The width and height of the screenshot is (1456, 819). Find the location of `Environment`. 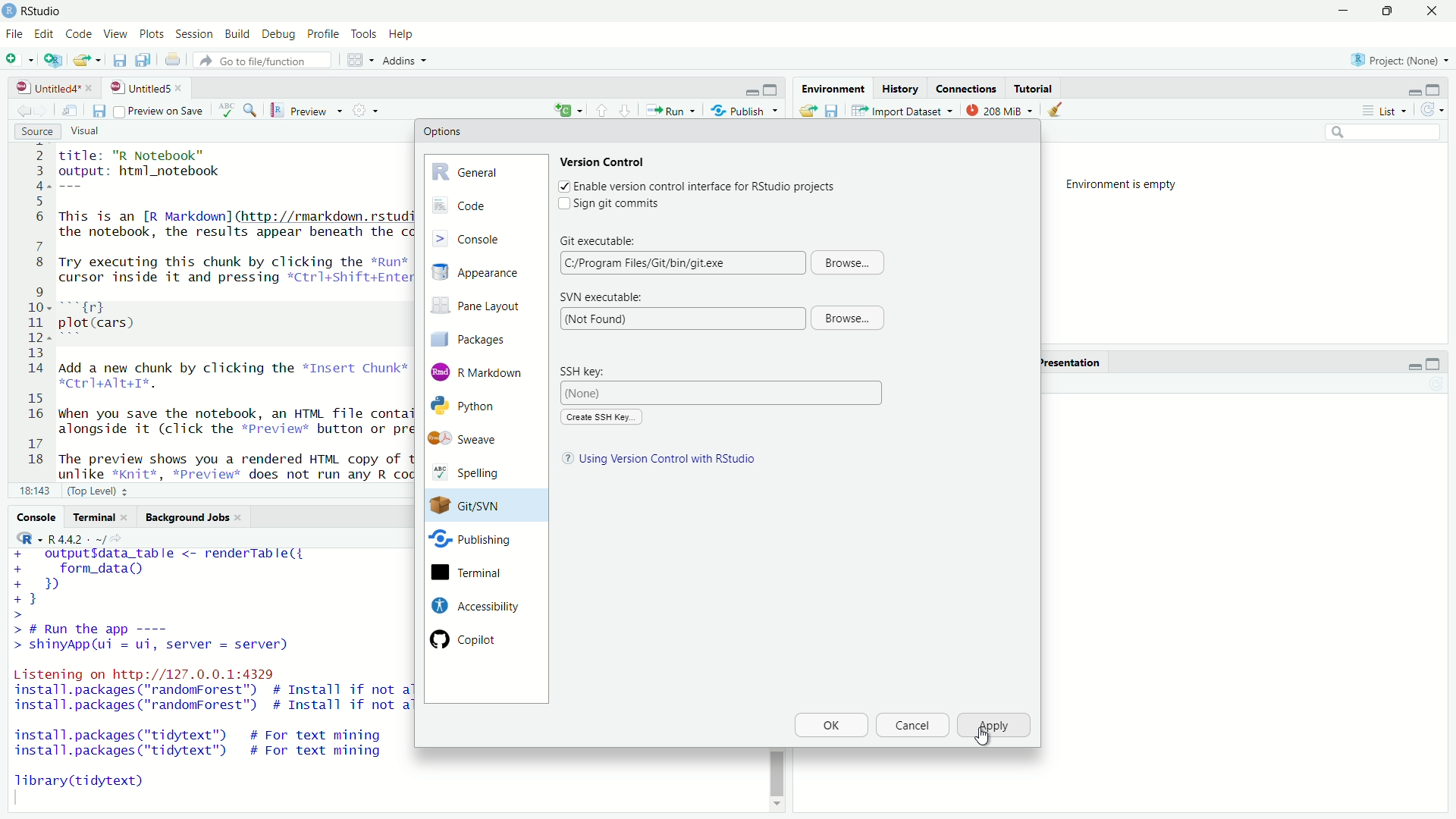

Environment is located at coordinates (831, 88).